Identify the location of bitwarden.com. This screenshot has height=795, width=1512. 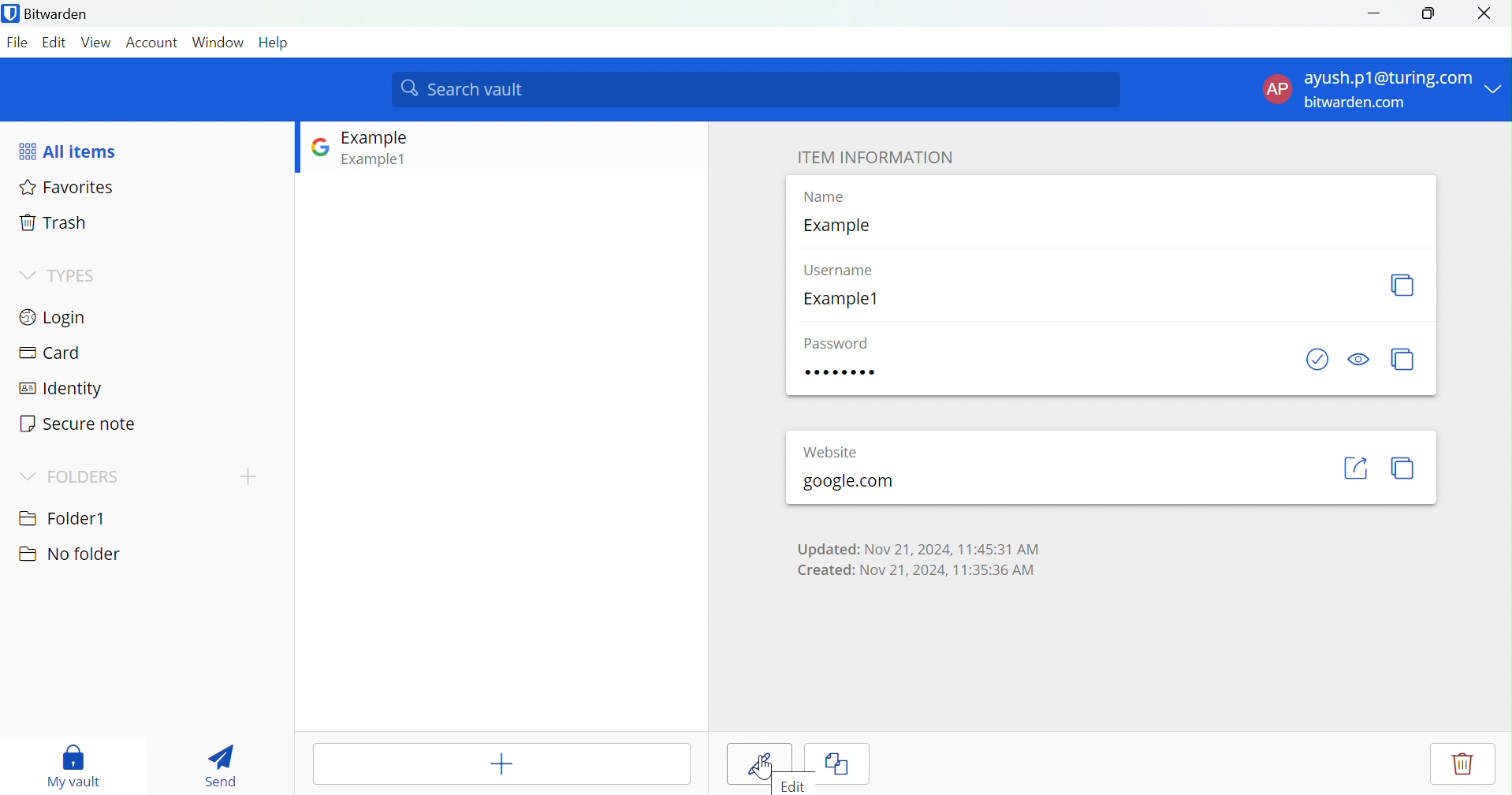
(1359, 103).